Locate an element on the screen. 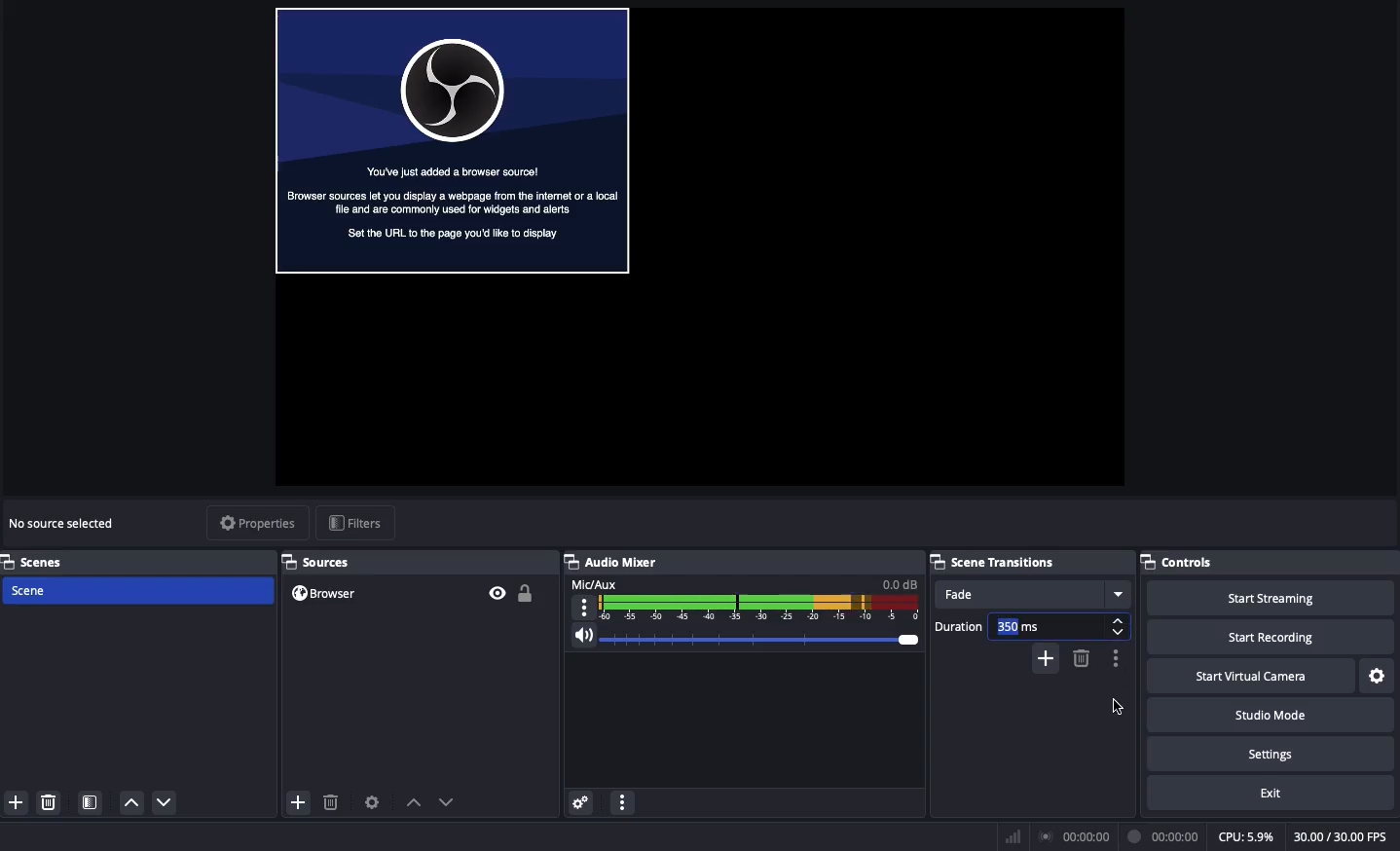 The width and height of the screenshot is (1400, 851). Start recording is located at coordinates (1259, 639).